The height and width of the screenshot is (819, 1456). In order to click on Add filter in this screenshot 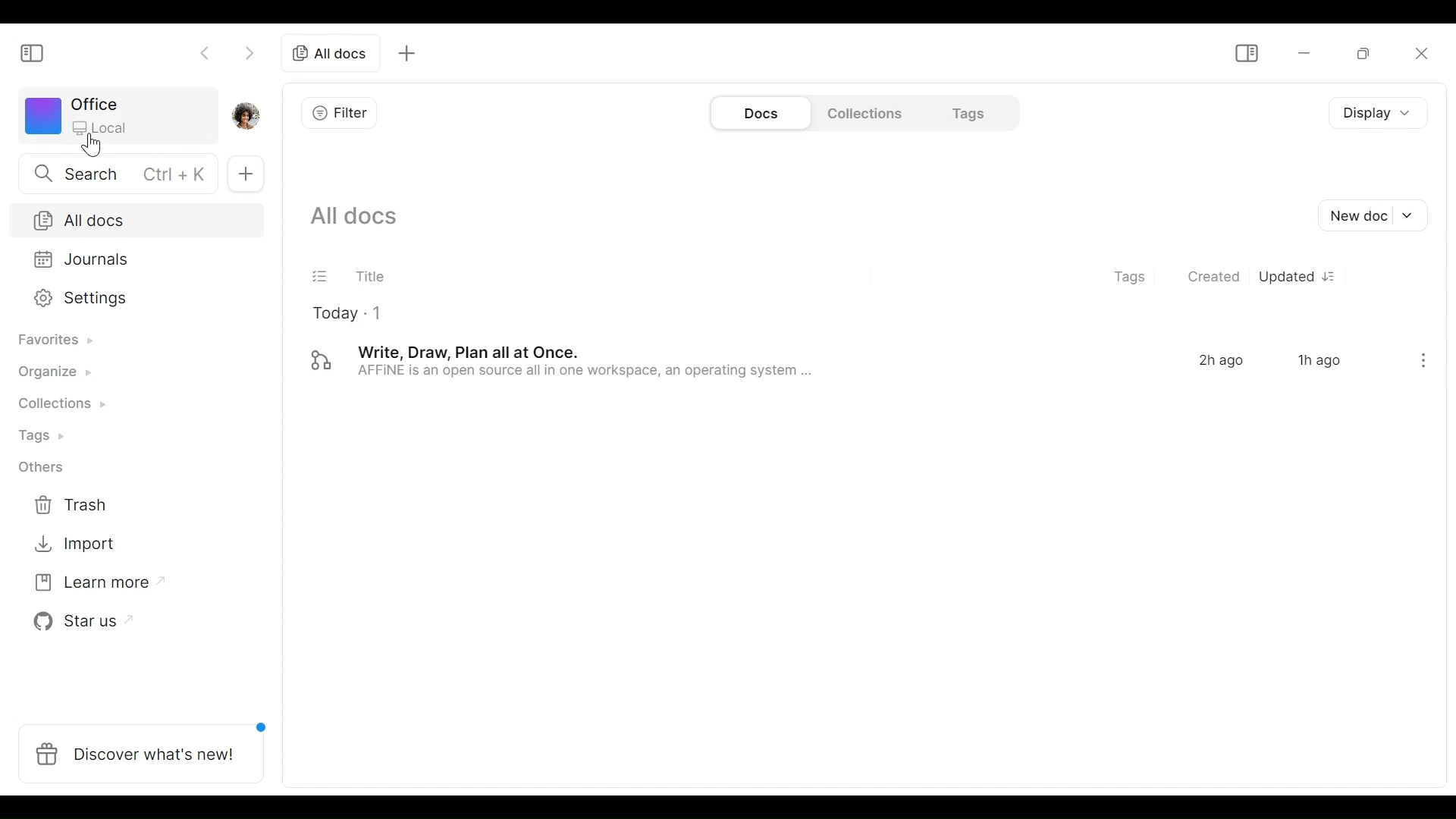, I will do `click(334, 112)`.